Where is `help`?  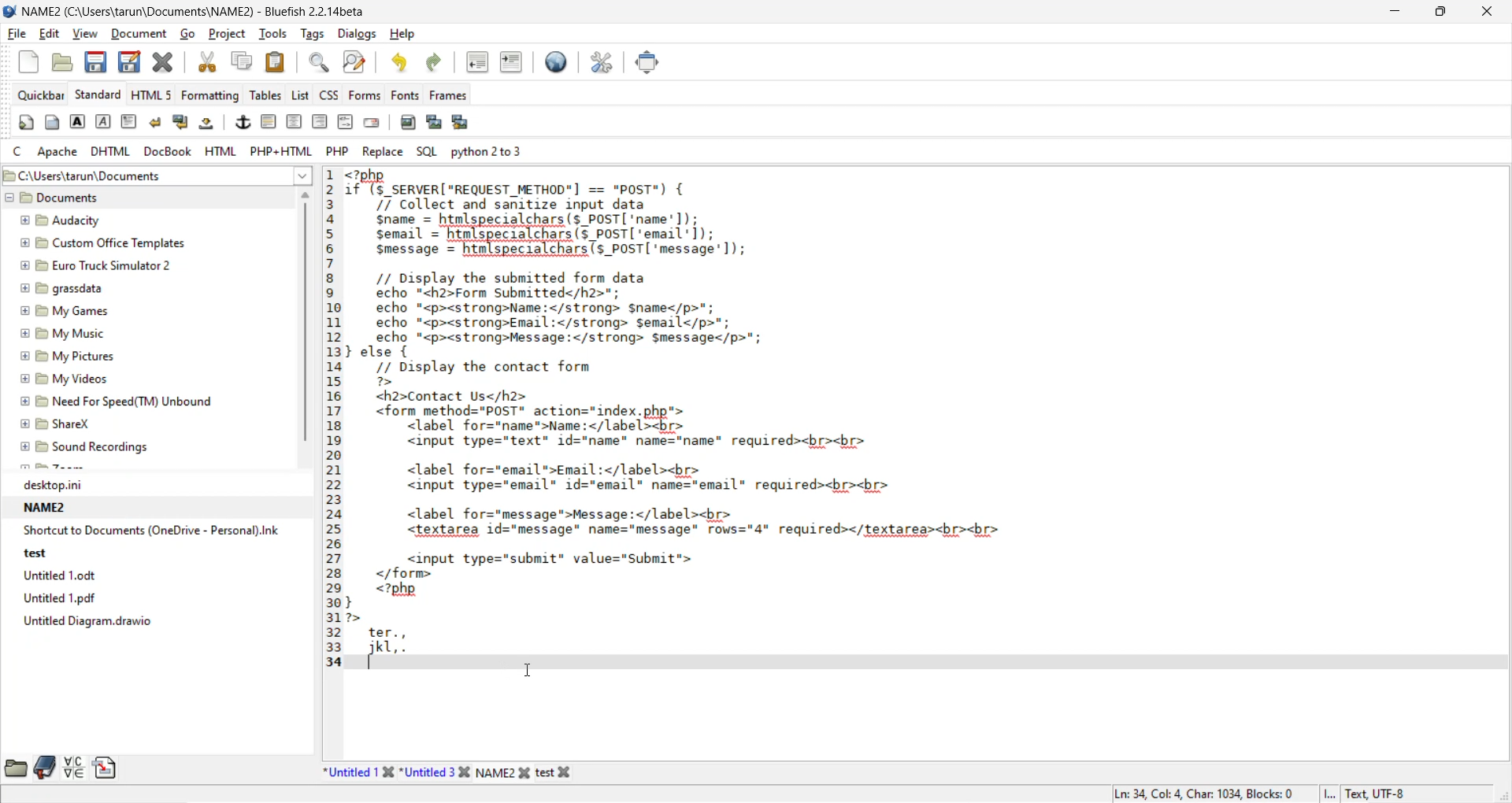
help is located at coordinates (406, 35).